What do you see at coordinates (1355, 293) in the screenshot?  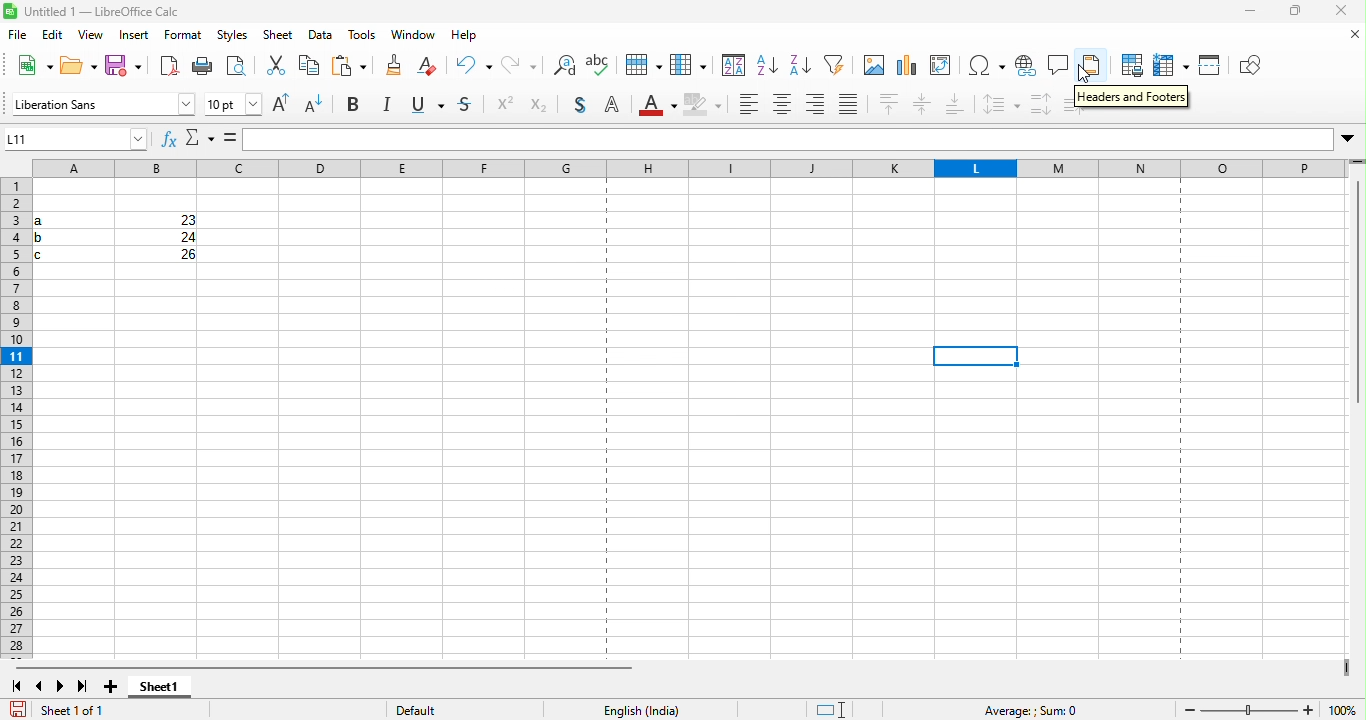 I see `vertical scroll bar` at bounding box center [1355, 293].